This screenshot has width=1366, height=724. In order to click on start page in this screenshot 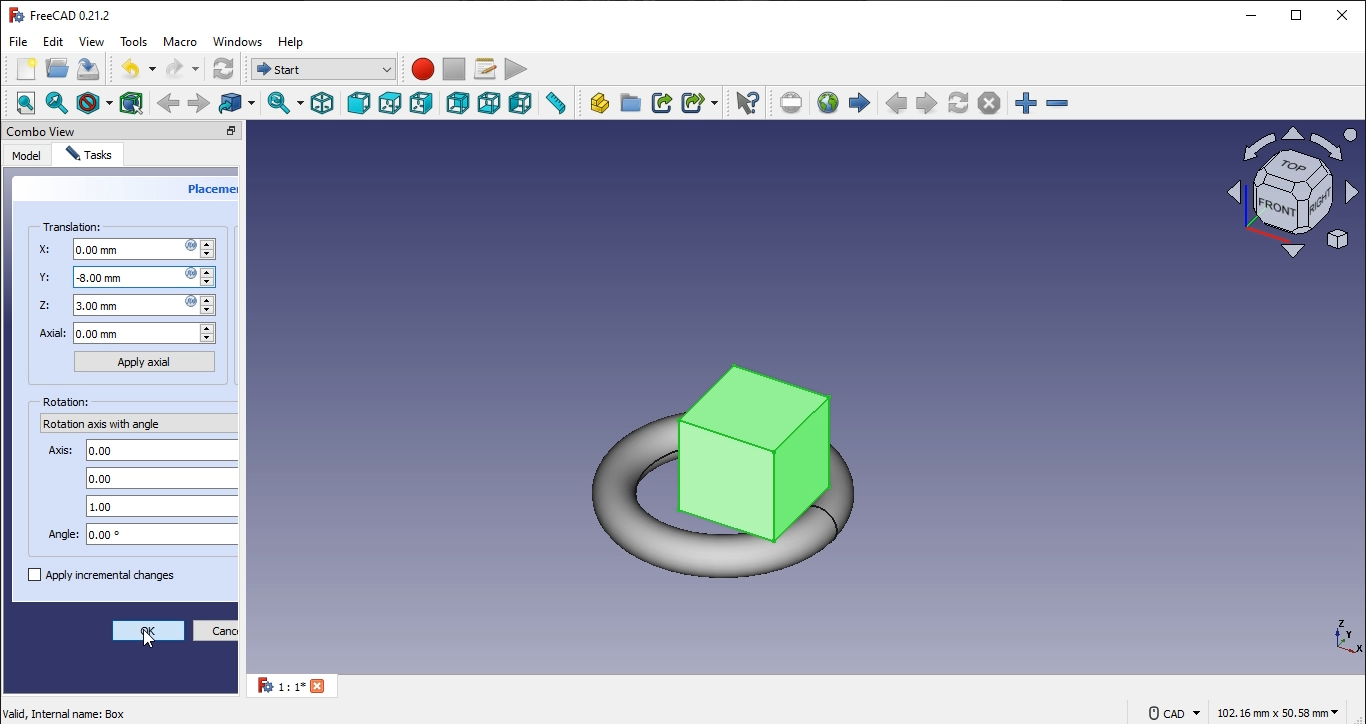, I will do `click(860, 102)`.